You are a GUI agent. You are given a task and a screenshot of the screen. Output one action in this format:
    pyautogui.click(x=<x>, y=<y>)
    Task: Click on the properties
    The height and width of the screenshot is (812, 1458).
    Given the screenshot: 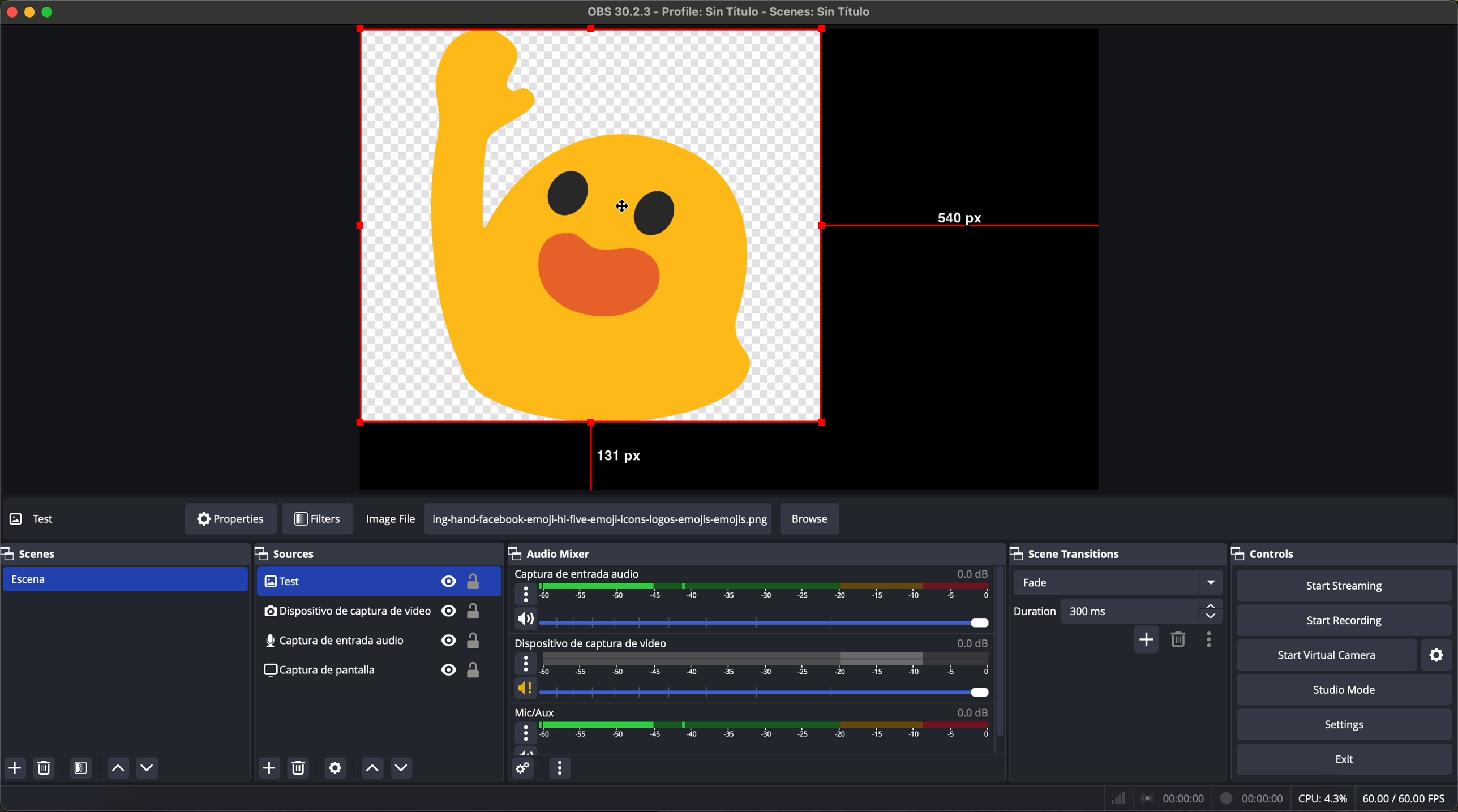 What is the action you would take?
    pyautogui.click(x=230, y=519)
    